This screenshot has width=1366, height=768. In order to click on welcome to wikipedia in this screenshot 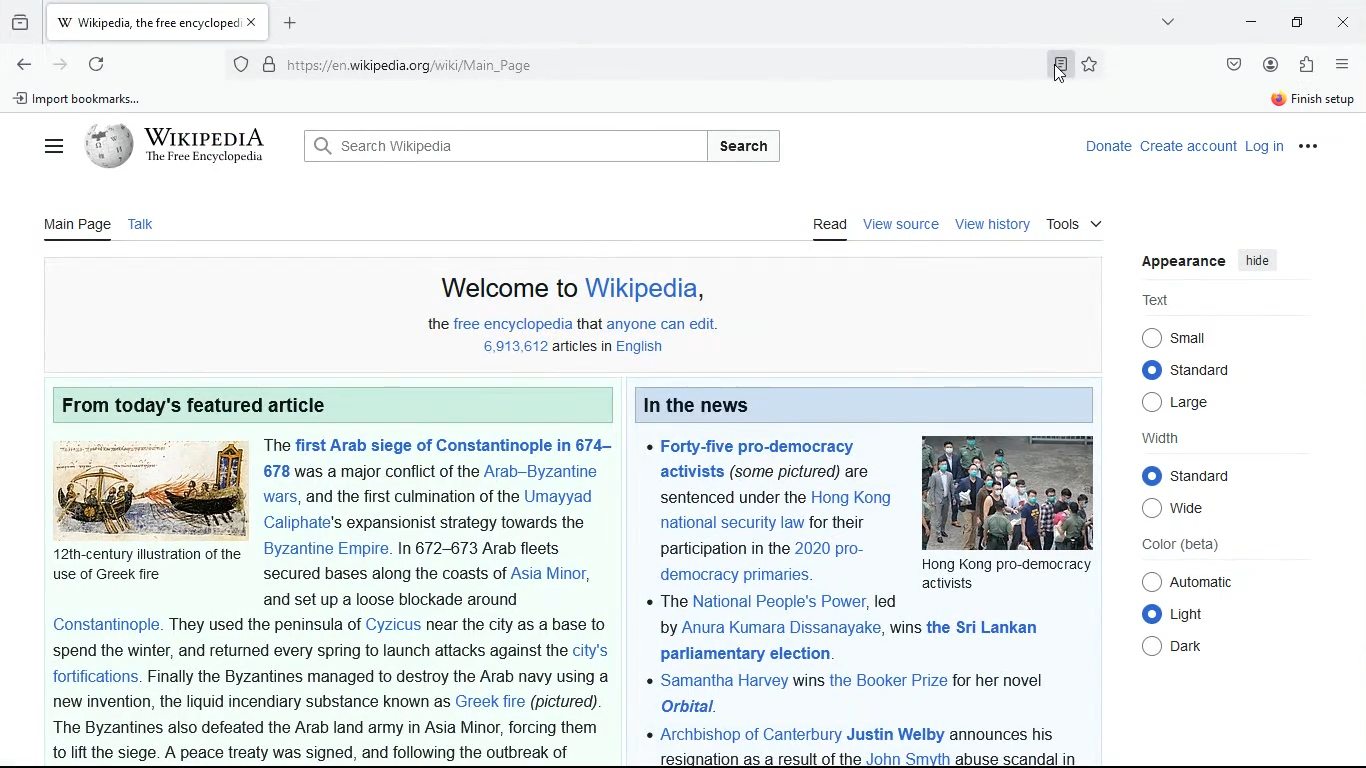, I will do `click(568, 290)`.